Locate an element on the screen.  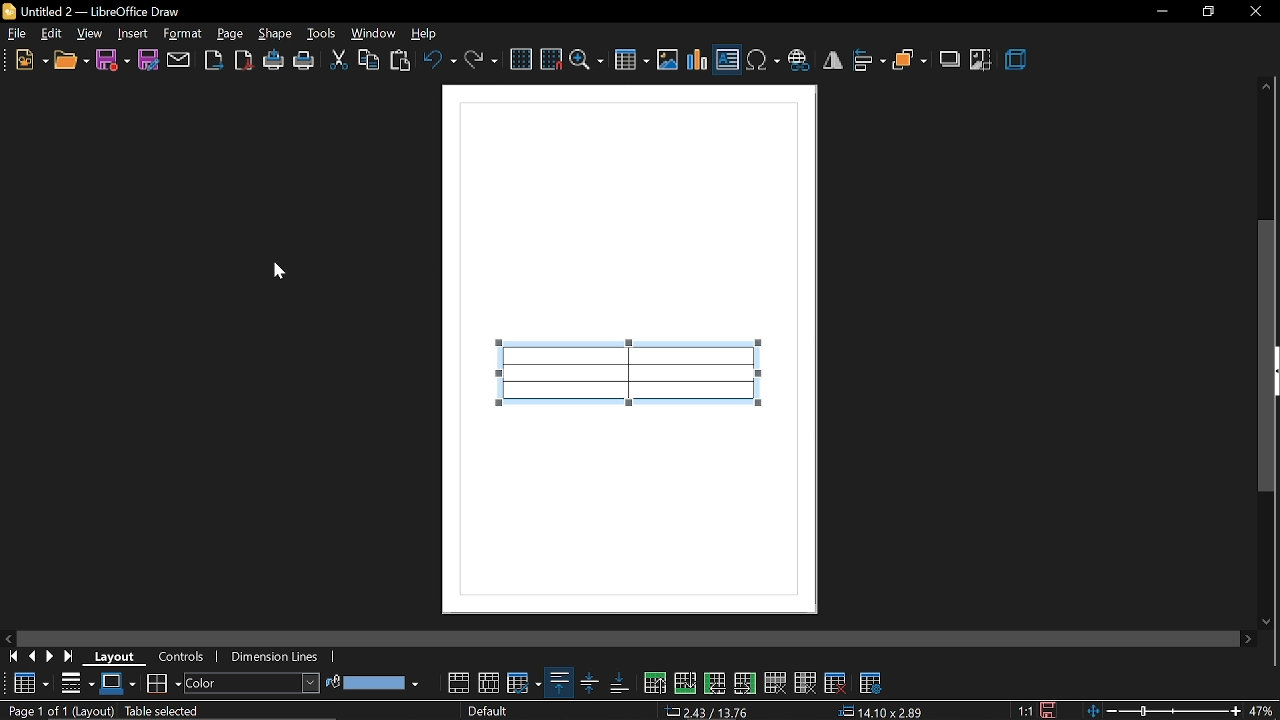
print directly is located at coordinates (274, 60).